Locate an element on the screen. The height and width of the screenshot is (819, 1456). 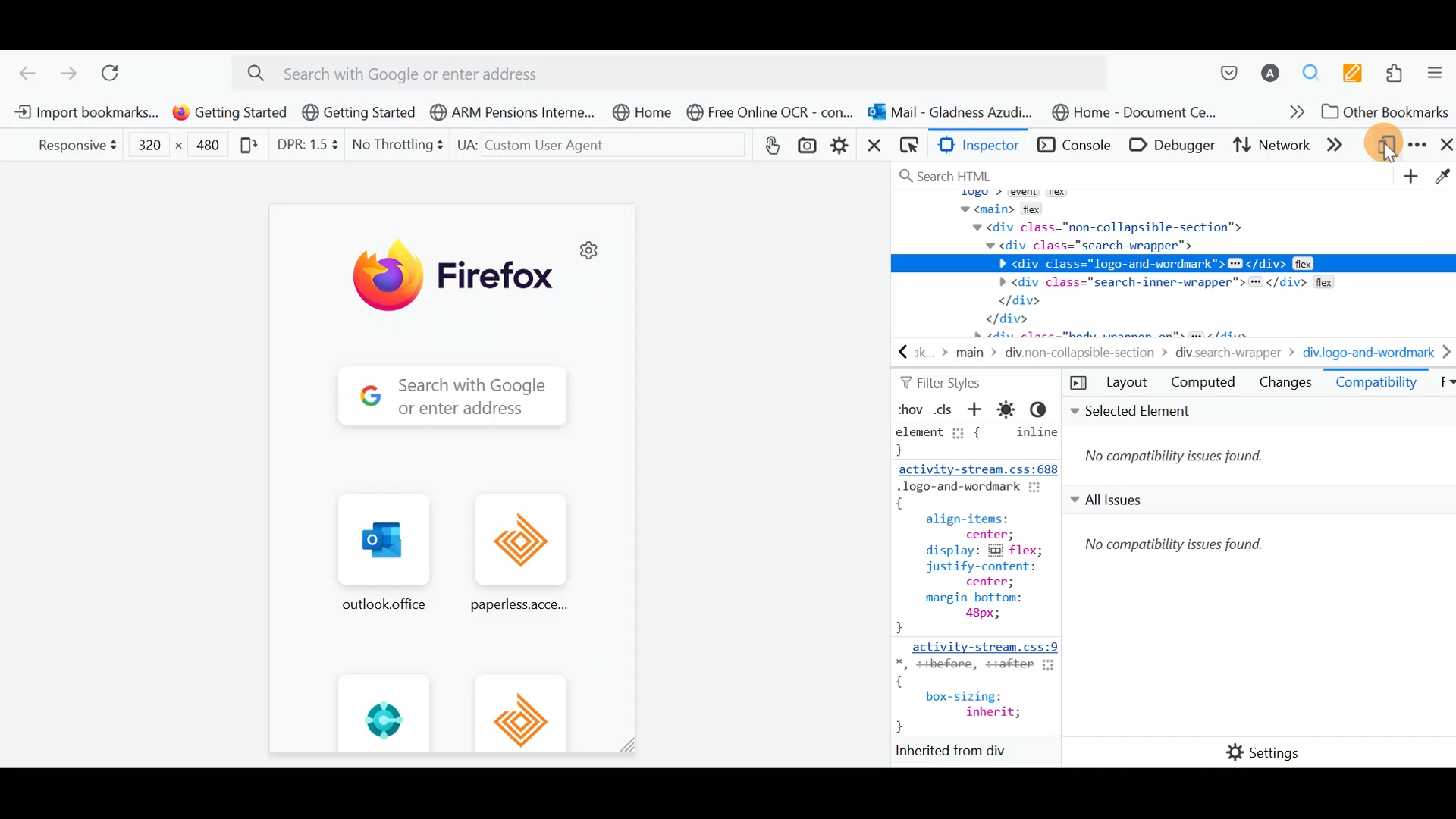
Other bookmarks is located at coordinates (1382, 111).